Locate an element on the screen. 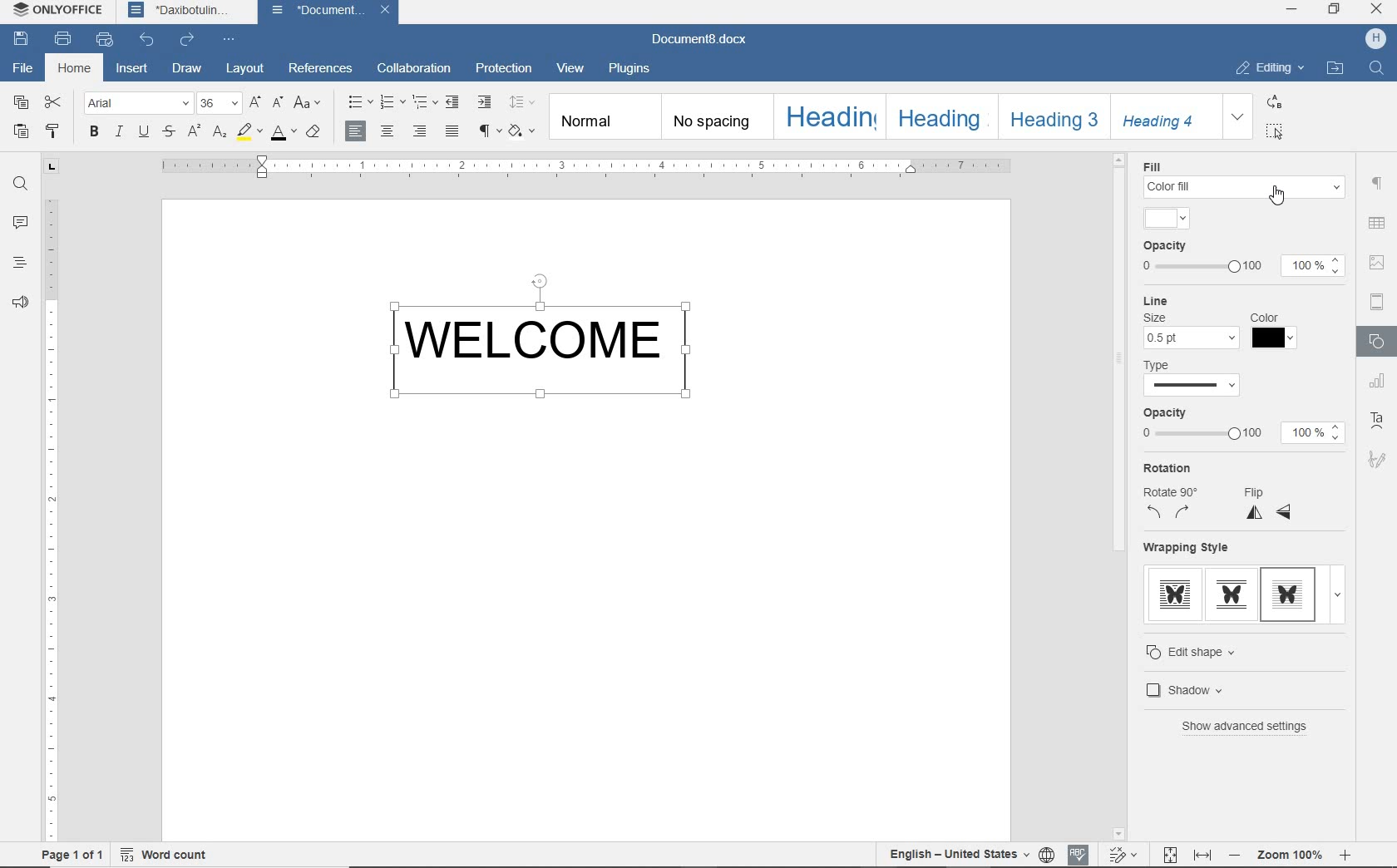 The height and width of the screenshot is (868, 1397). HP is located at coordinates (1375, 39).